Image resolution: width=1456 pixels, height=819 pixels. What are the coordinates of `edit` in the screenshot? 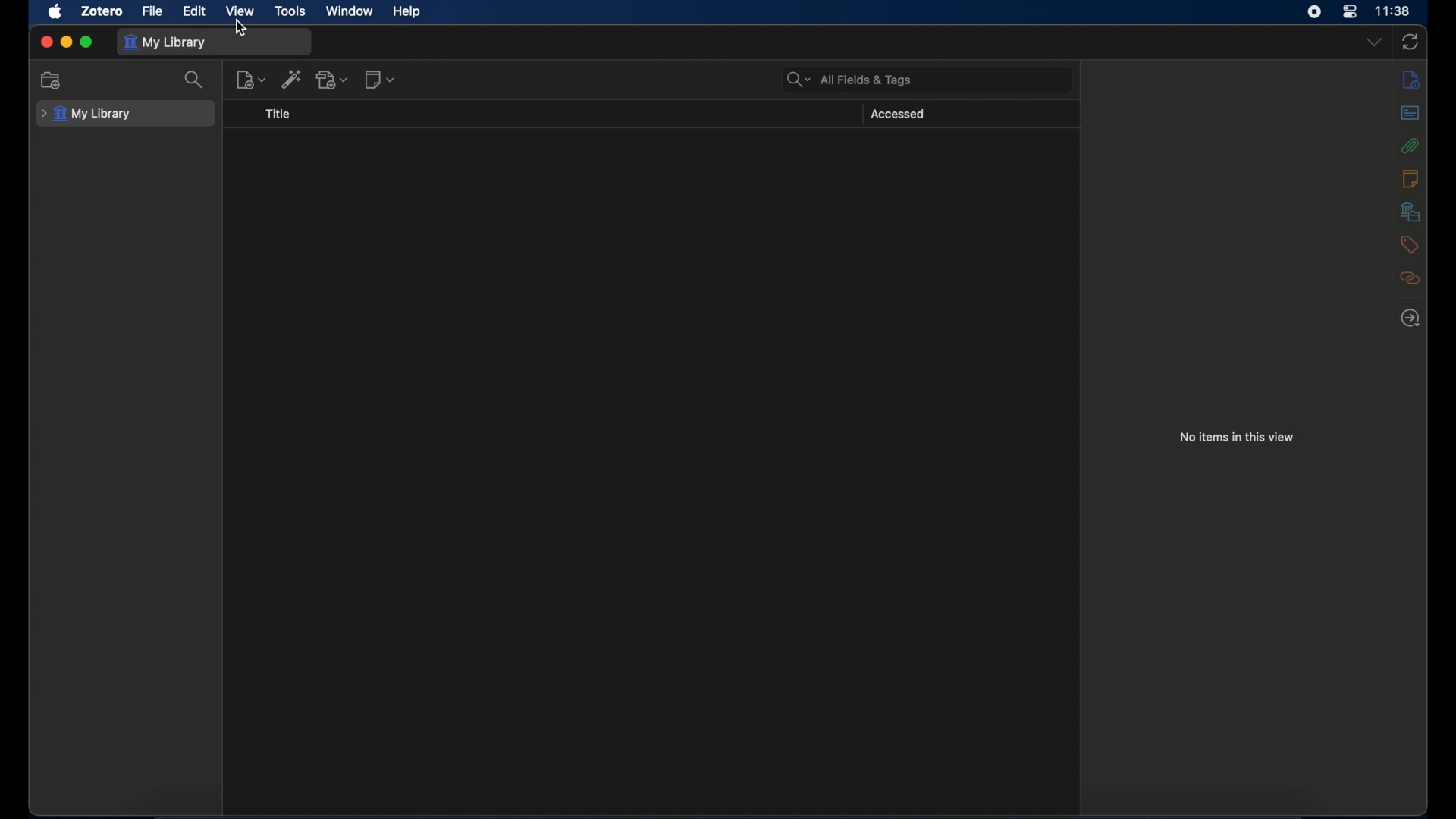 It's located at (196, 11).